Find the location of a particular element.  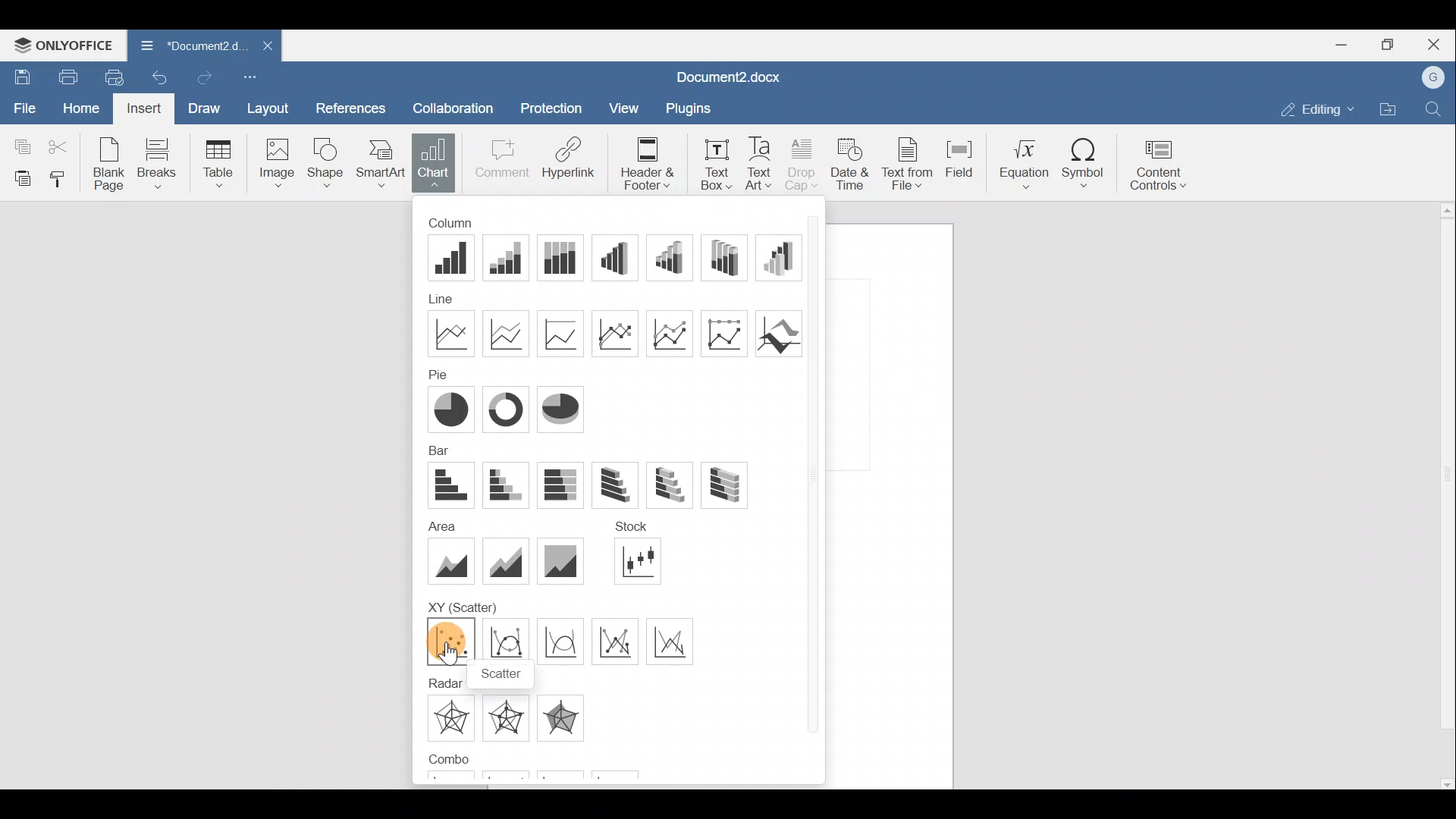

Equation is located at coordinates (1022, 163).